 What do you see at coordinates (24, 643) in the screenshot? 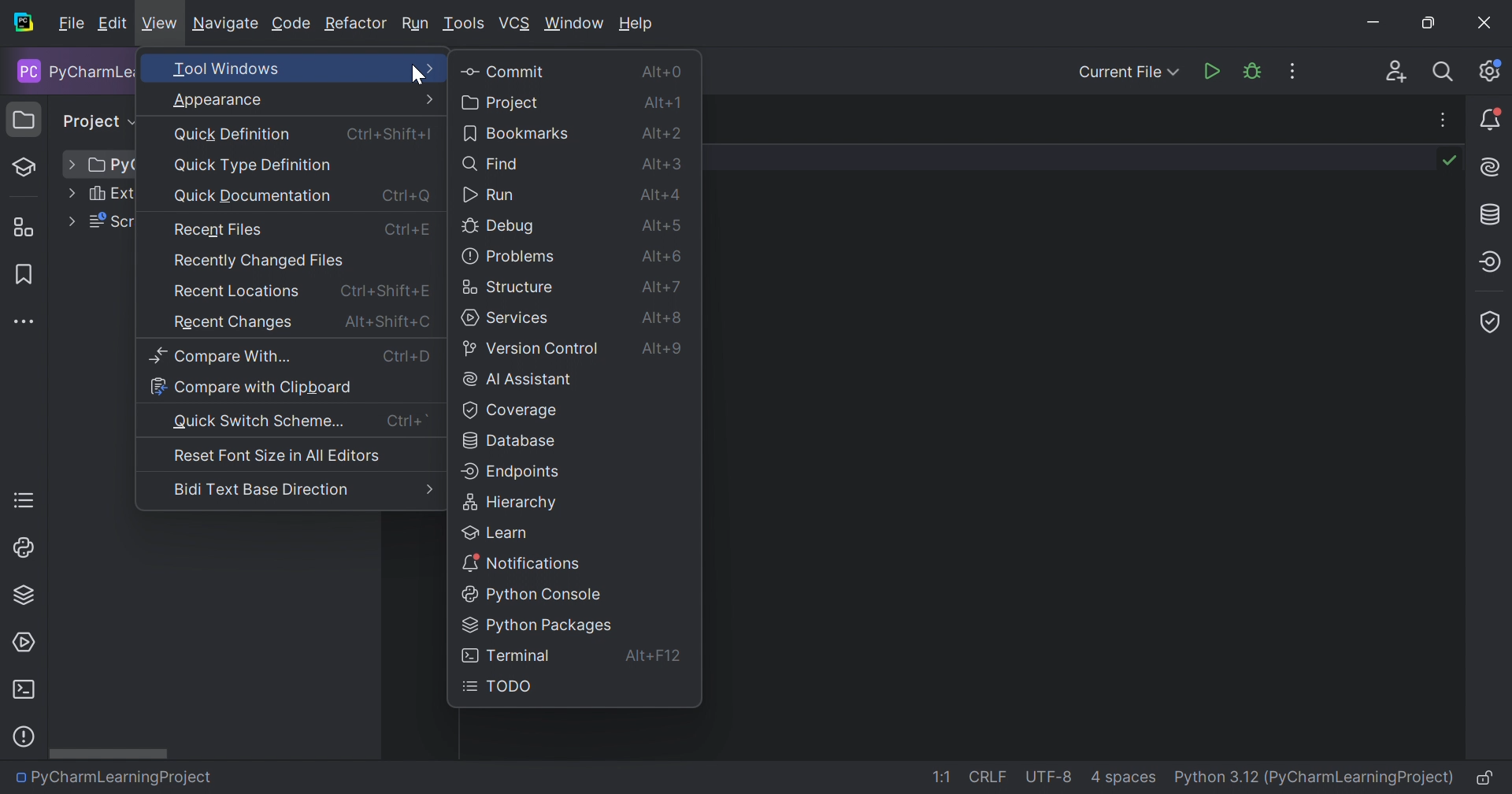
I see `Services` at bounding box center [24, 643].